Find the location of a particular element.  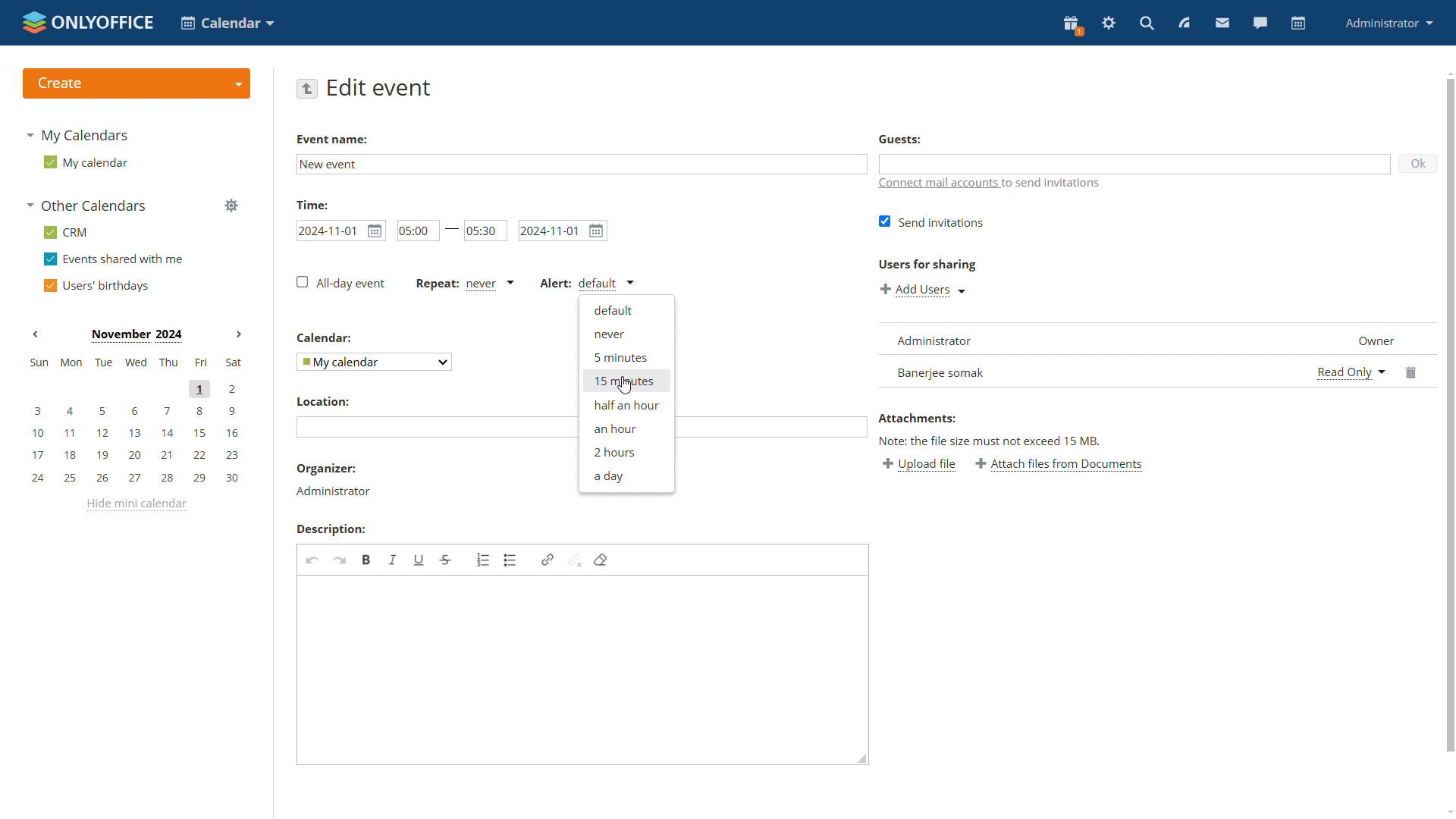

link is located at coordinates (547, 560).